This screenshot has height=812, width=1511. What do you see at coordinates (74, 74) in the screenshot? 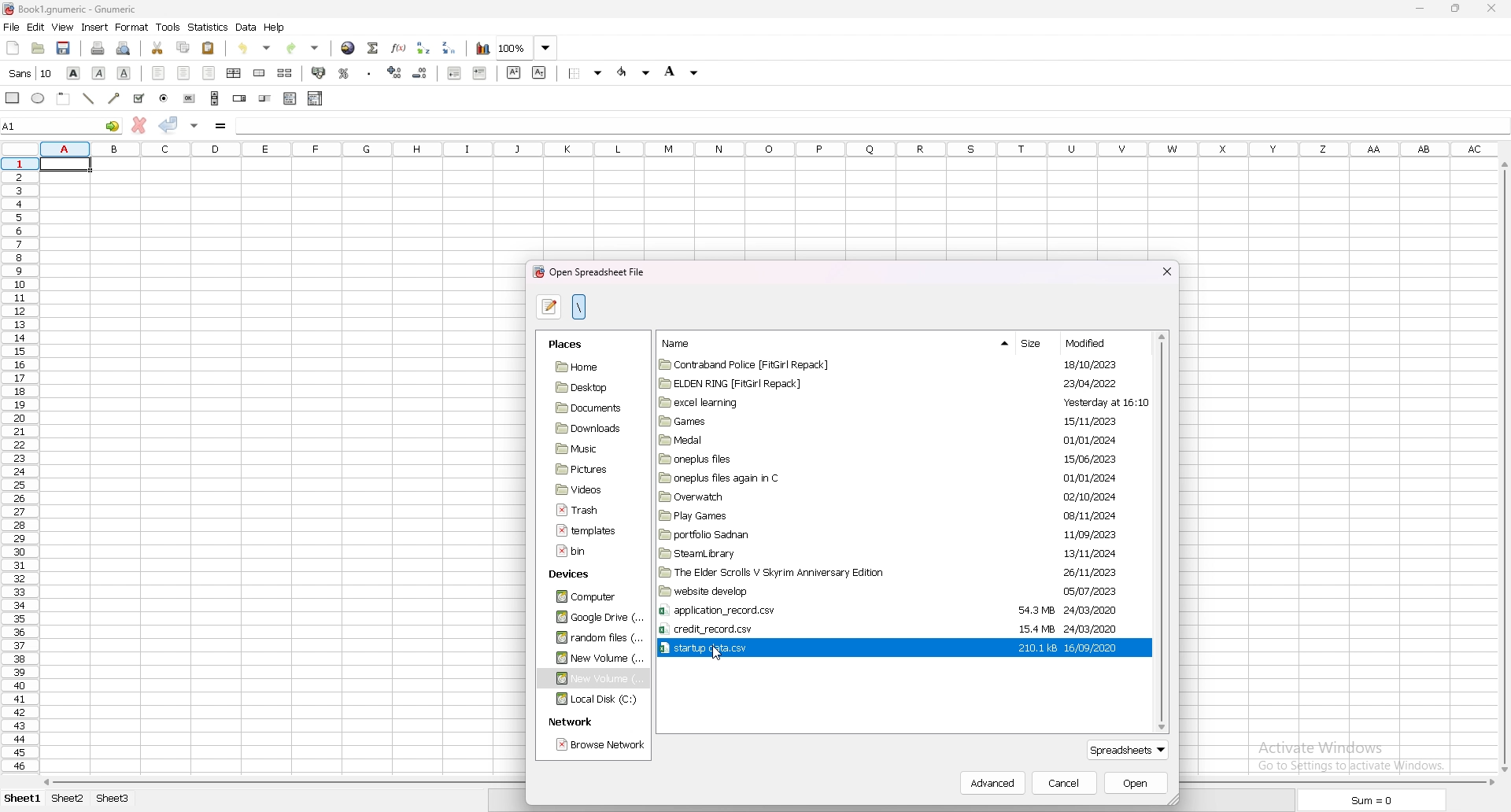
I see `bold` at bounding box center [74, 74].